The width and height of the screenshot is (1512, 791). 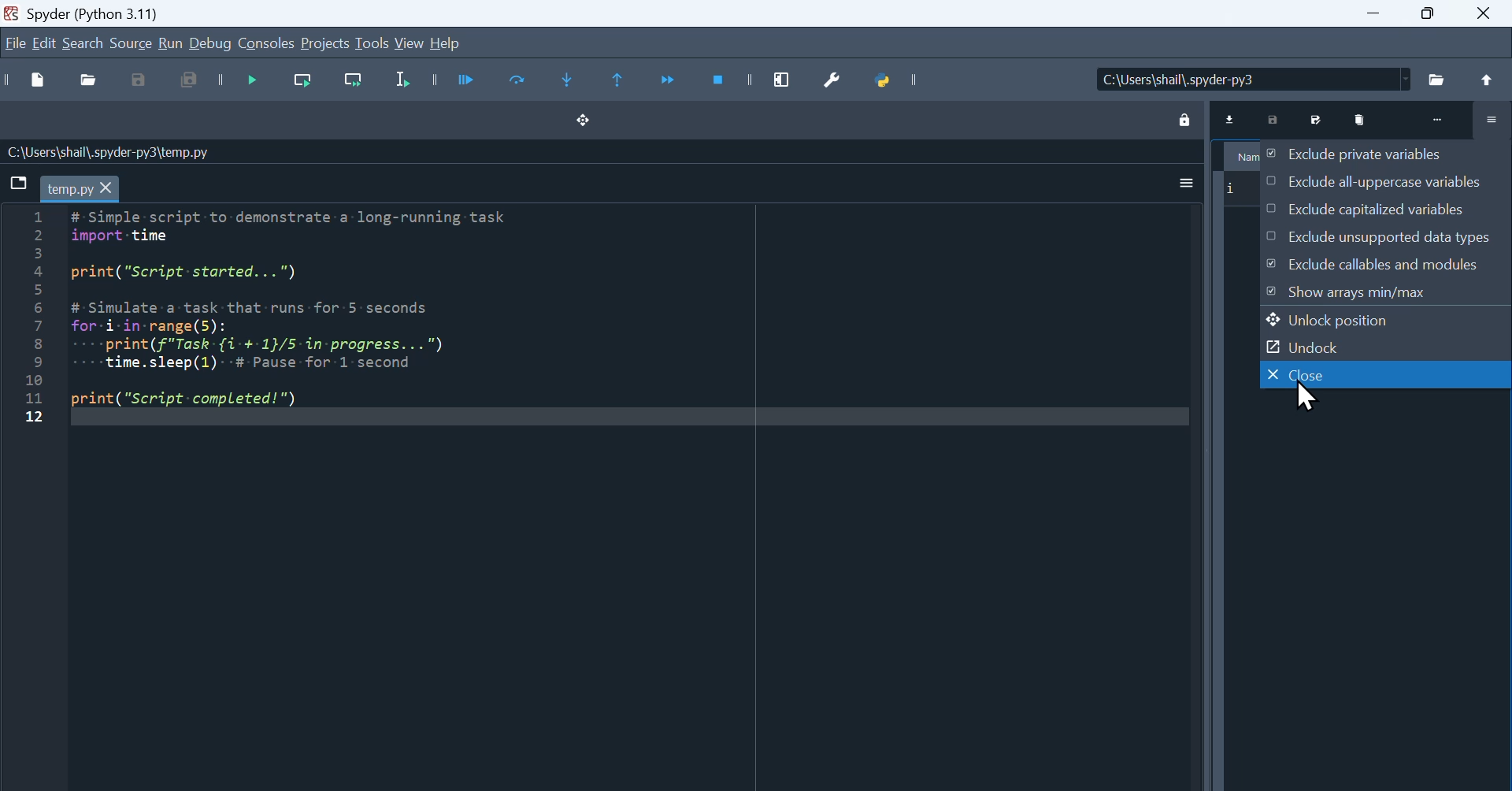 What do you see at coordinates (192, 80) in the screenshot?
I see `Save all` at bounding box center [192, 80].